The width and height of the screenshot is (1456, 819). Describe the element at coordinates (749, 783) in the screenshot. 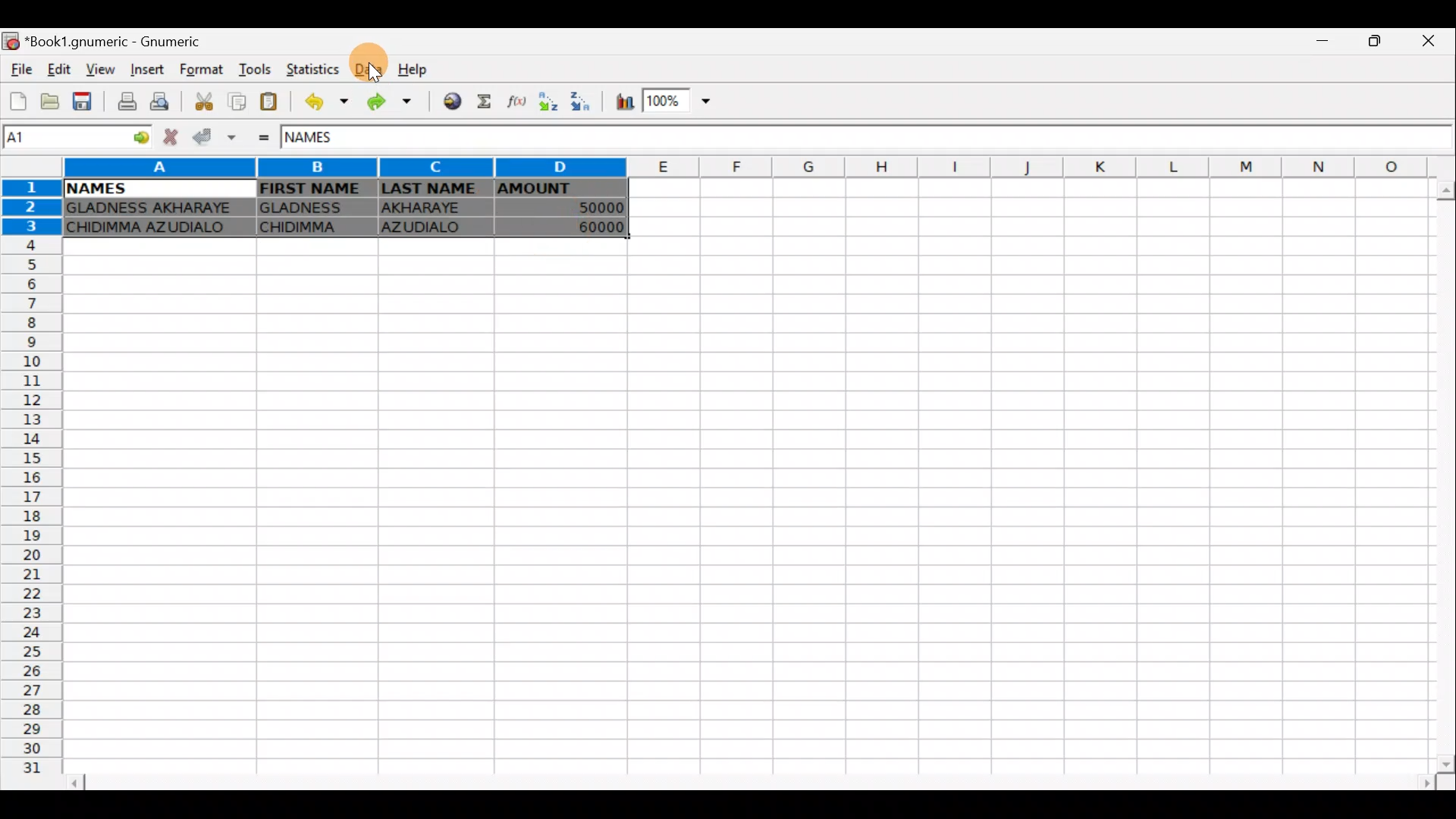

I see `Scroll bar` at that location.